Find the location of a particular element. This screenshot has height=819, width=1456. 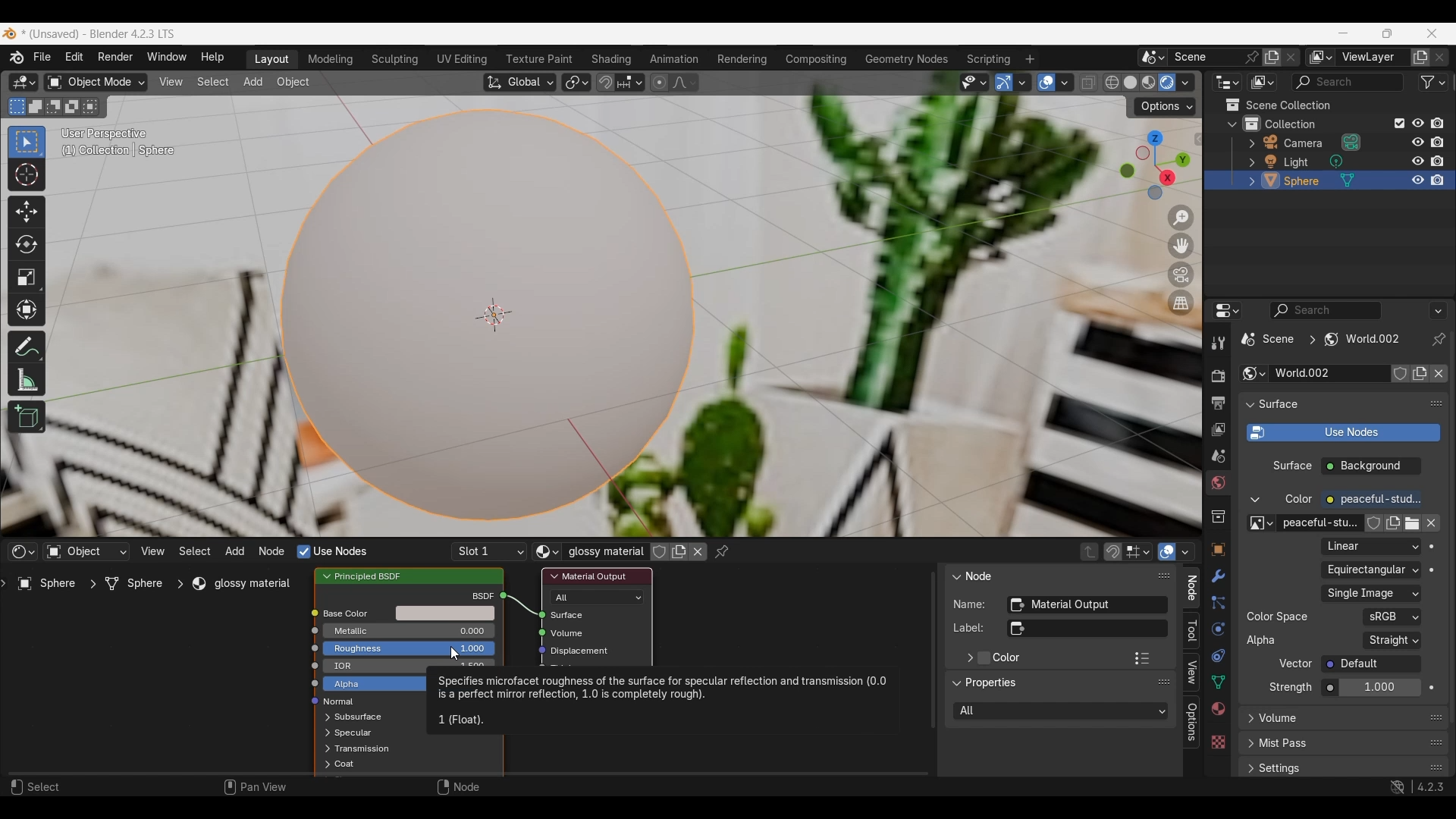

Cursor clicking on Roughness is located at coordinates (456, 653).